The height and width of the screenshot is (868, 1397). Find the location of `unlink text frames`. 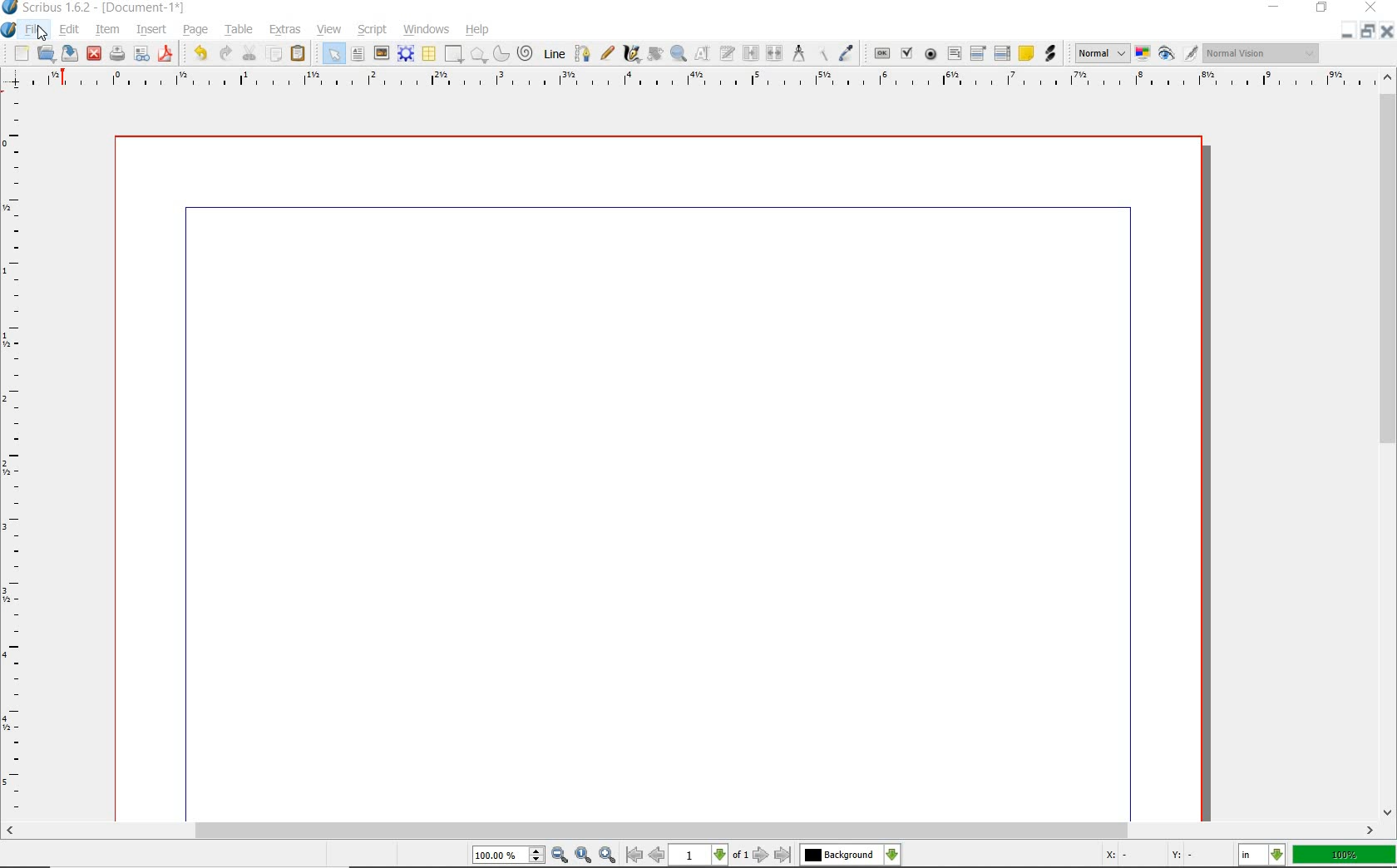

unlink text frames is located at coordinates (773, 55).